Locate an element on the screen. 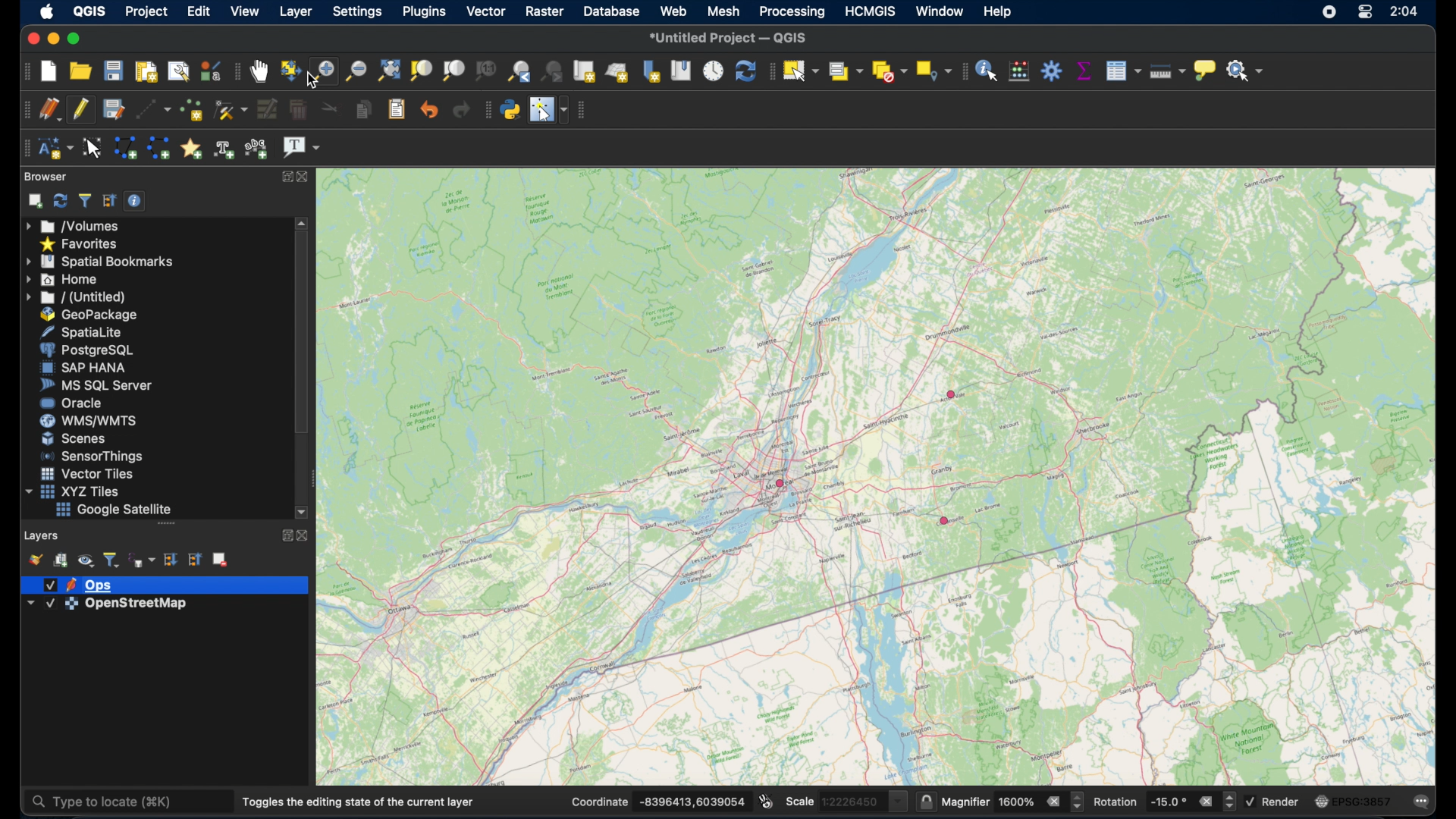 The width and height of the screenshot is (1456, 819). new project is located at coordinates (49, 72).